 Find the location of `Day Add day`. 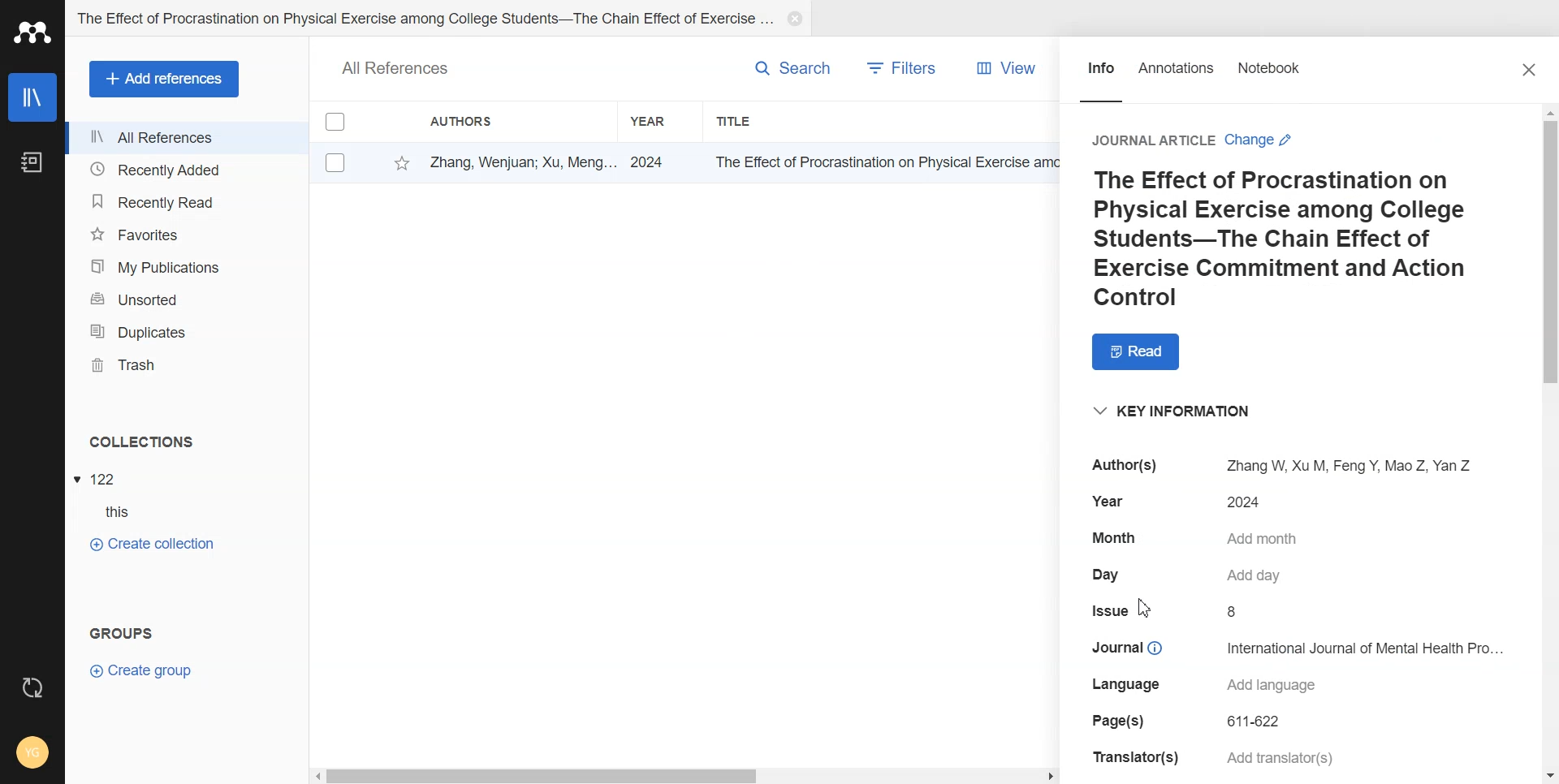

Day Add day is located at coordinates (1190, 576).